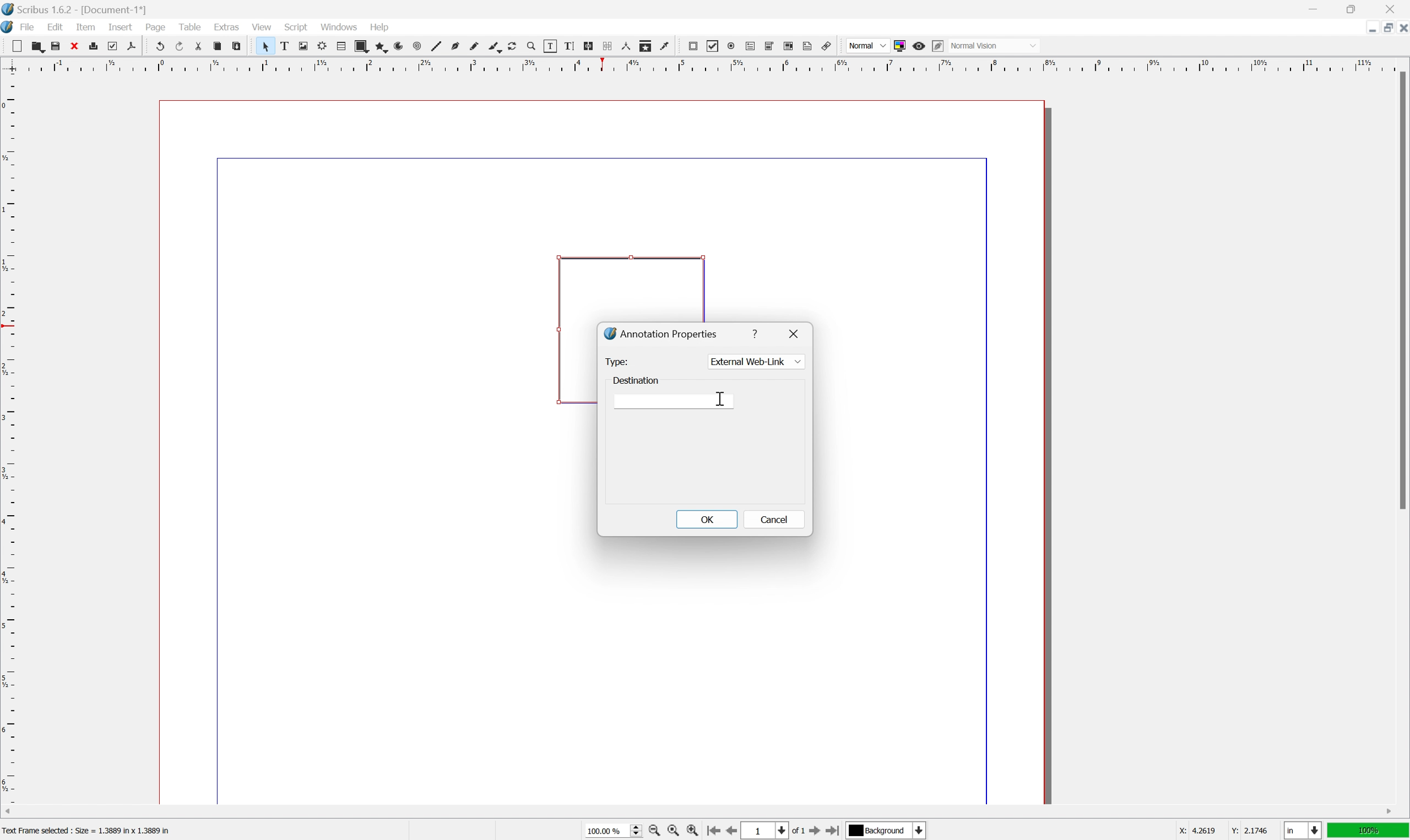 This screenshot has width=1410, height=840. What do you see at coordinates (494, 46) in the screenshot?
I see `calligraphy line` at bounding box center [494, 46].